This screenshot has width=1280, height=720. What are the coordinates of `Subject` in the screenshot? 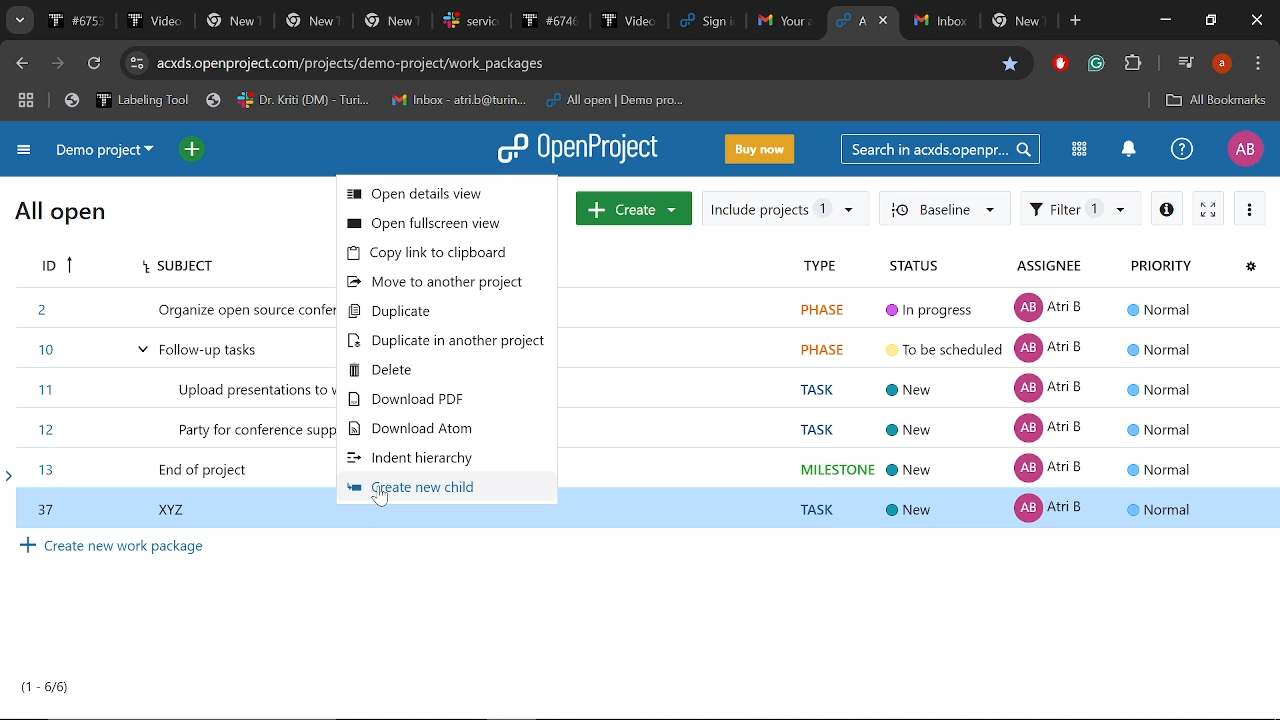 It's located at (174, 267).